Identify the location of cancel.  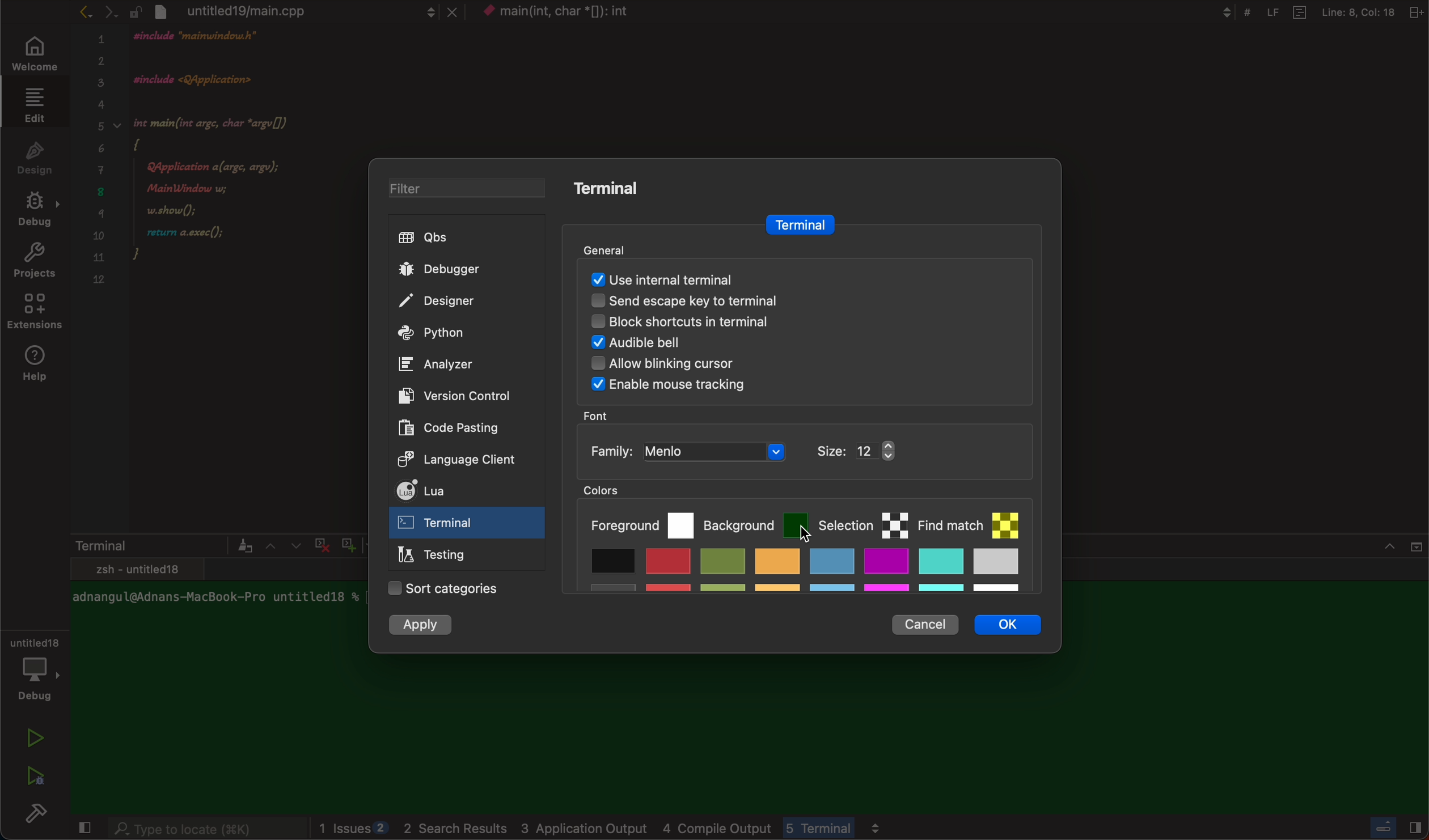
(924, 621).